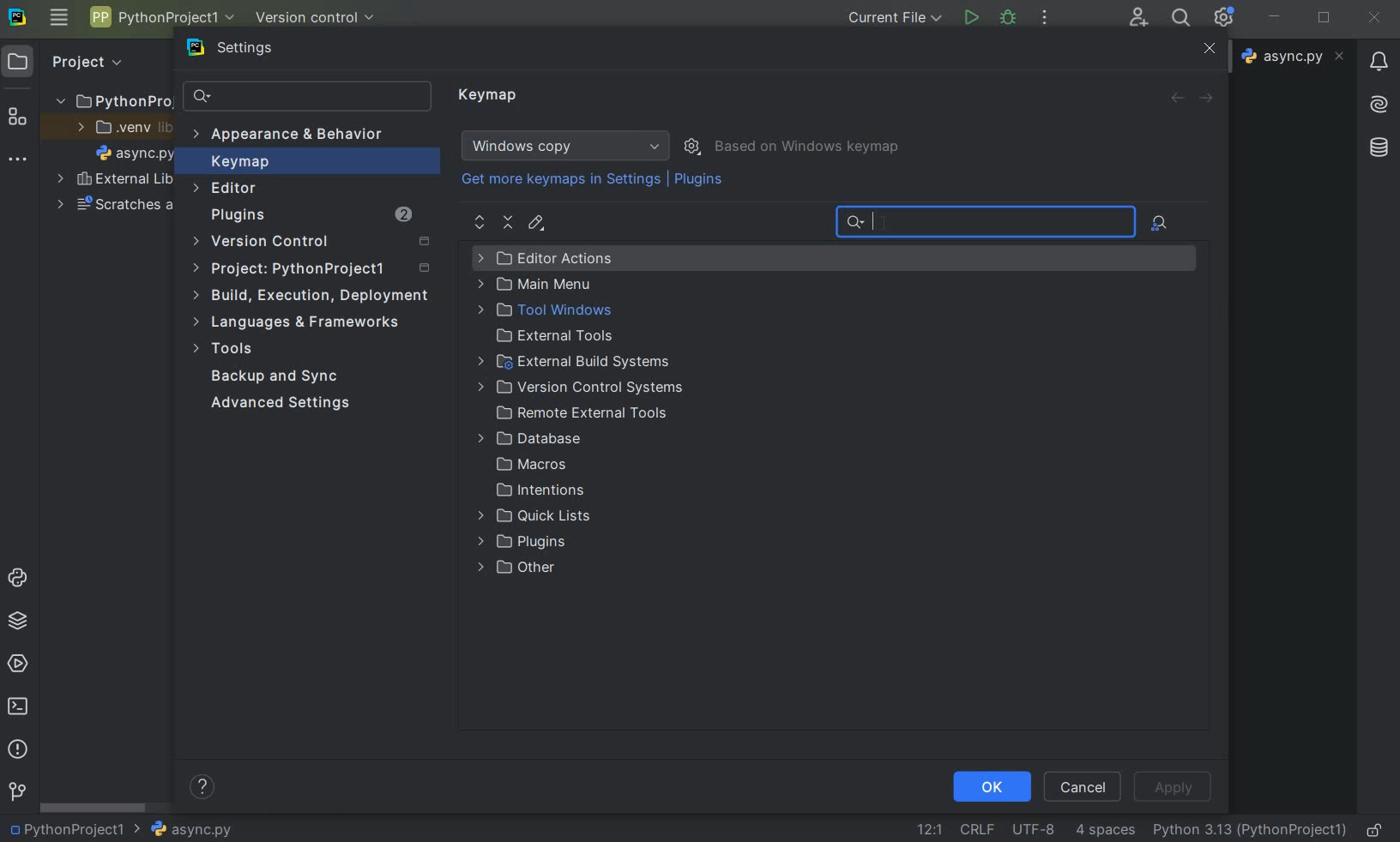  I want to click on python packages, so click(21, 621).